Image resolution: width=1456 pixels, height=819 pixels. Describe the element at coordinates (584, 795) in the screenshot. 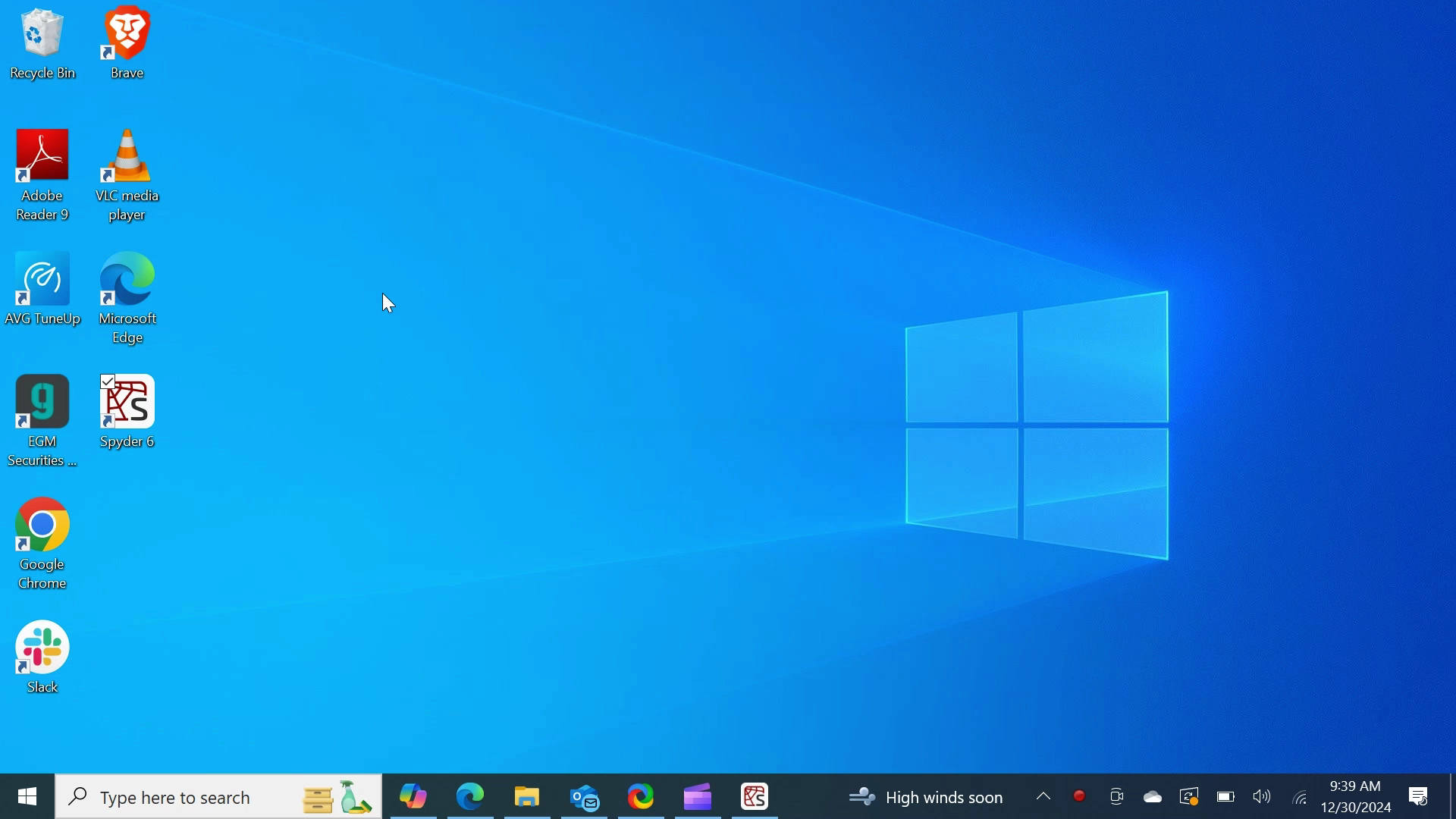

I see `Outlook Desktop Icon` at that location.